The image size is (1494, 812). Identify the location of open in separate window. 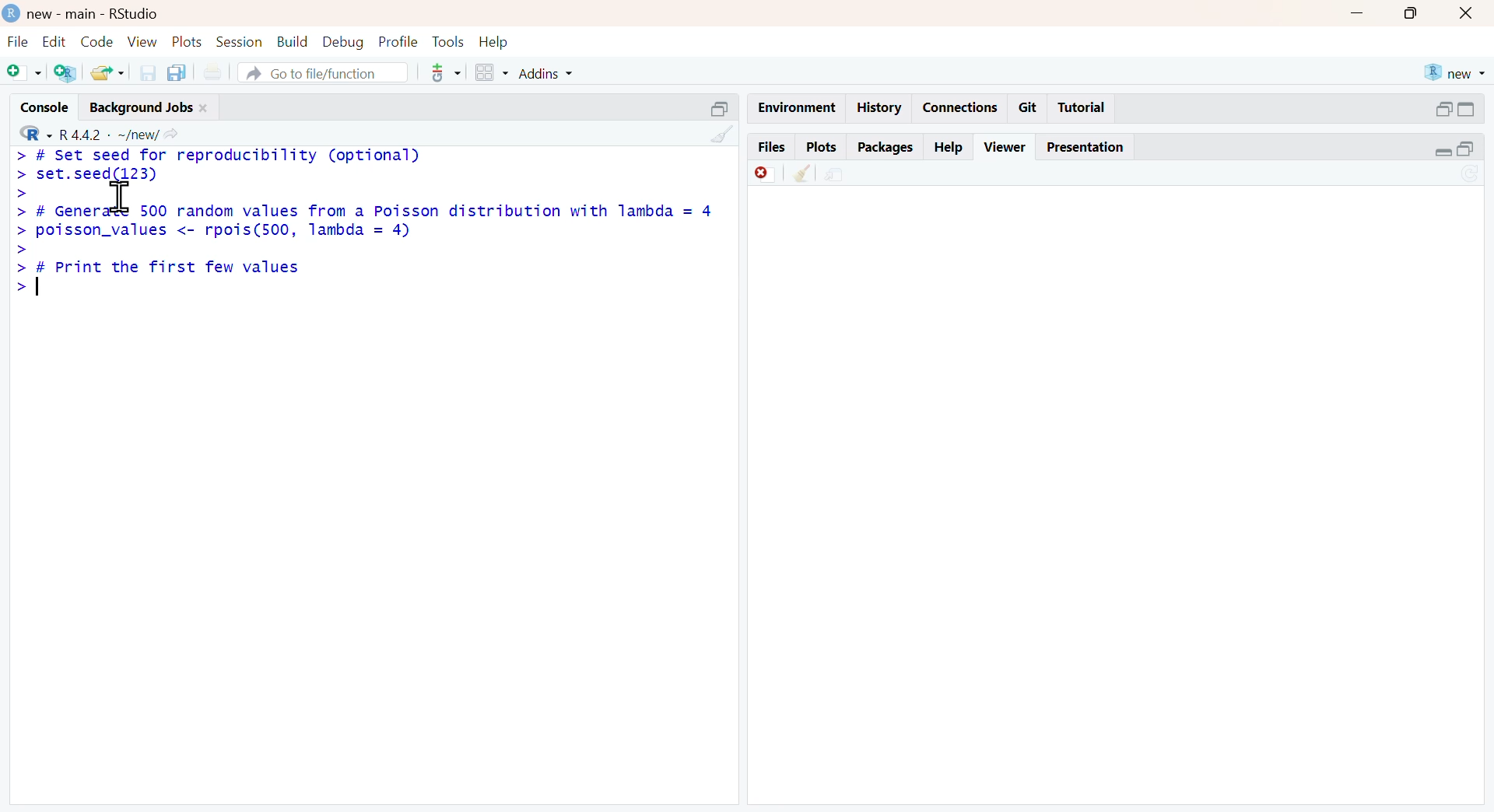
(721, 110).